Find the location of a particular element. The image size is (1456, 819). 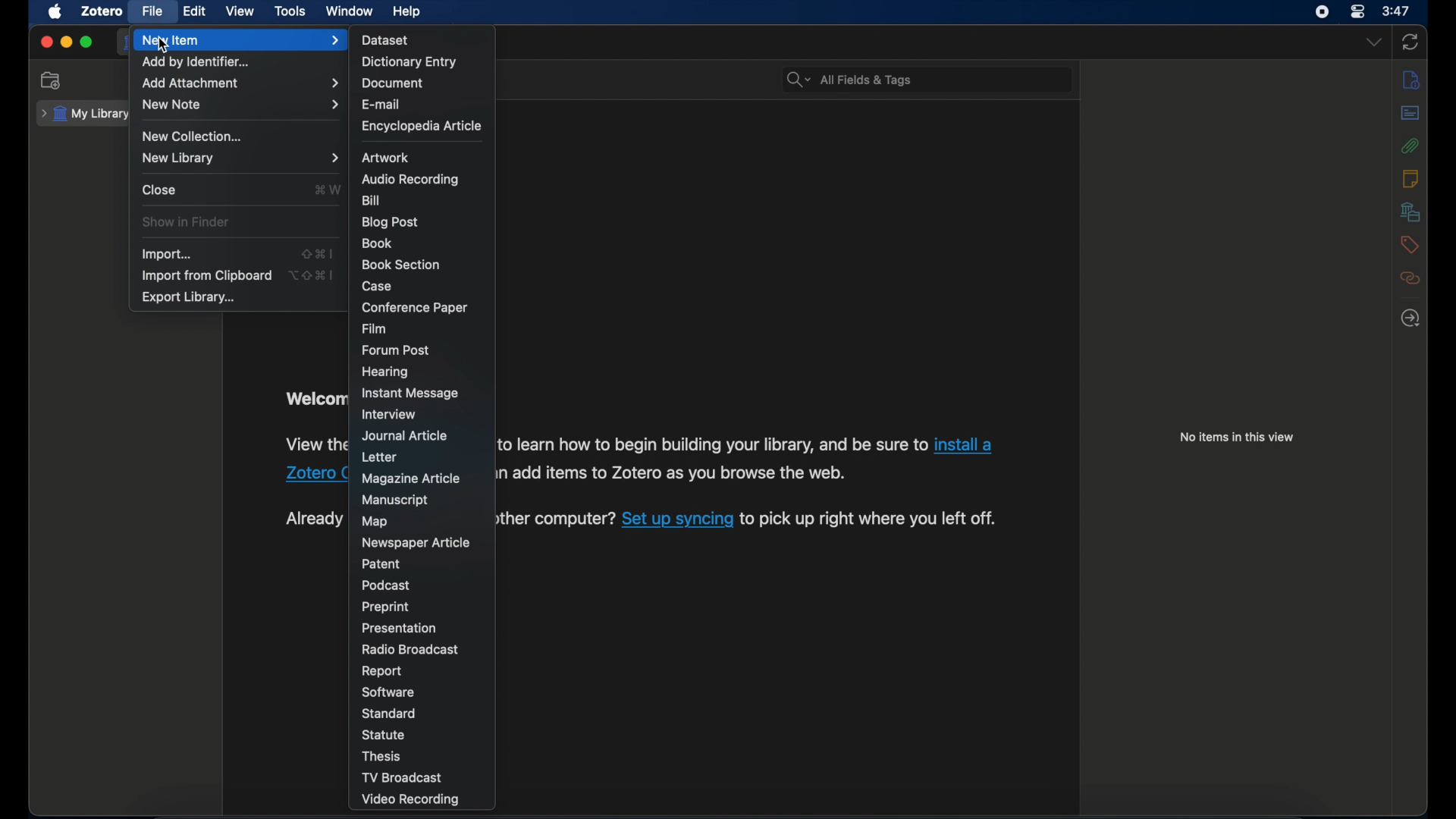

libraries is located at coordinates (1411, 212).